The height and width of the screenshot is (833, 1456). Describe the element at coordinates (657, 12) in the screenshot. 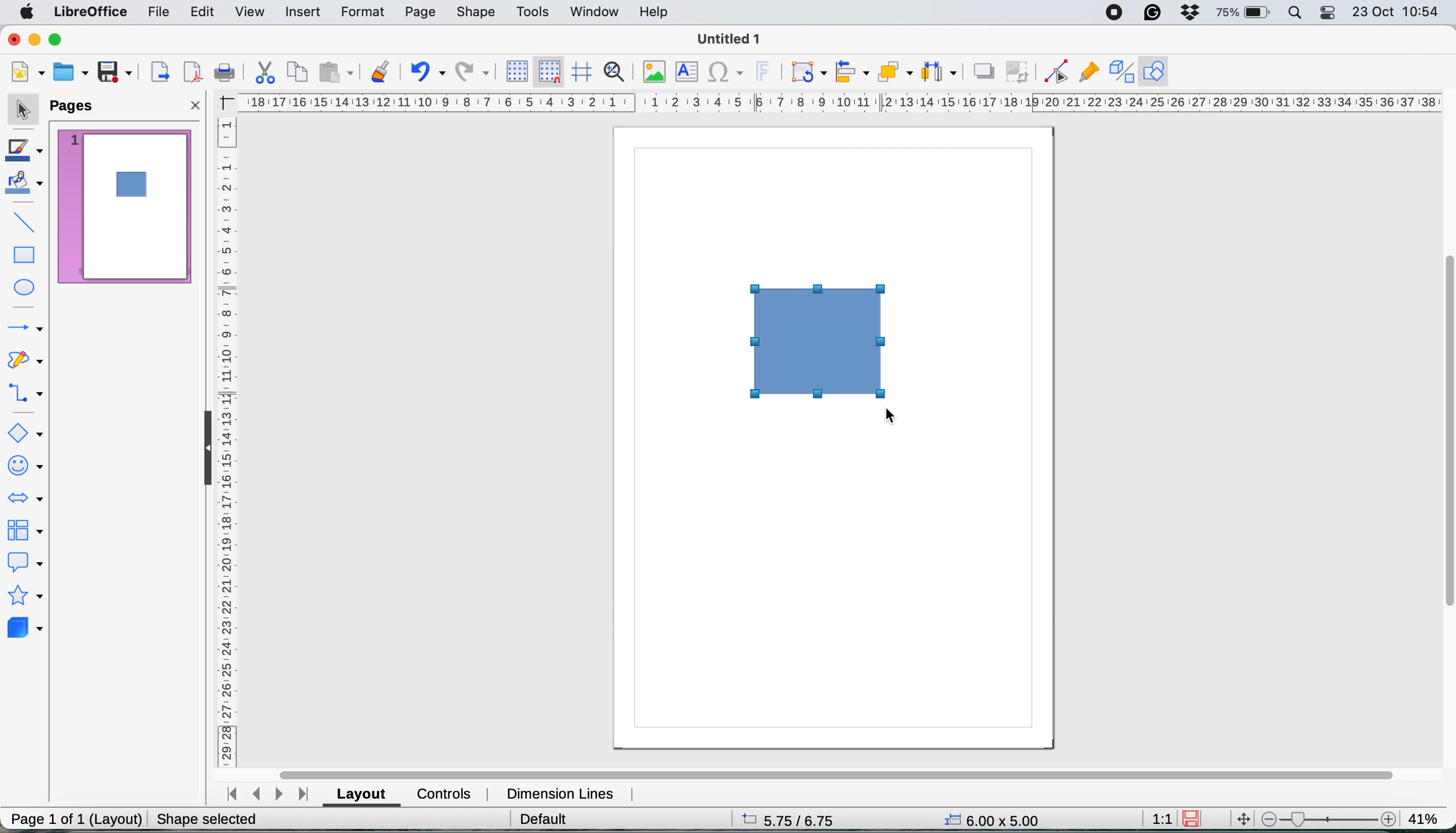

I see `help` at that location.